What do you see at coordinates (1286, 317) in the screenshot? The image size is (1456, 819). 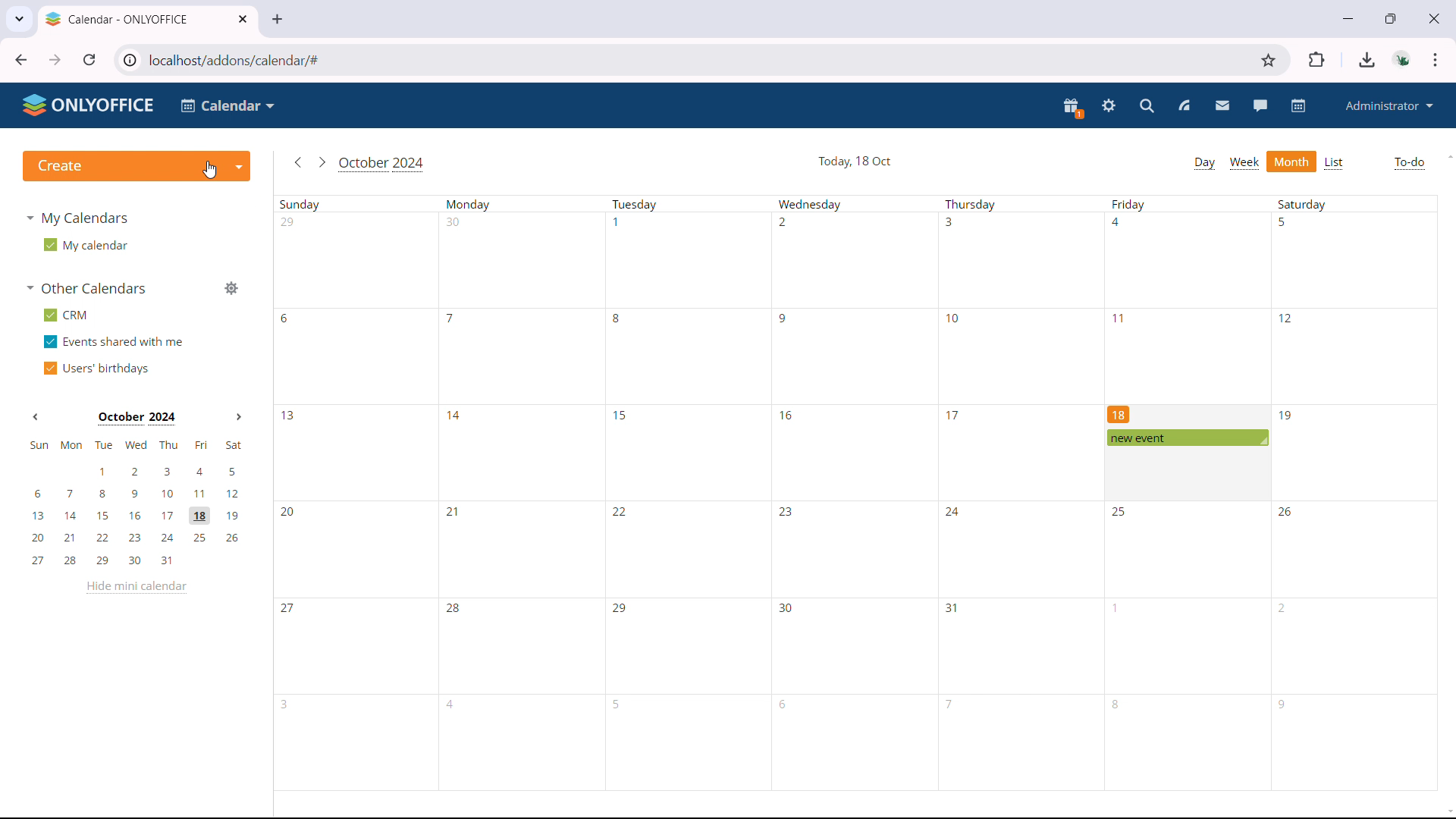 I see `12` at bounding box center [1286, 317].